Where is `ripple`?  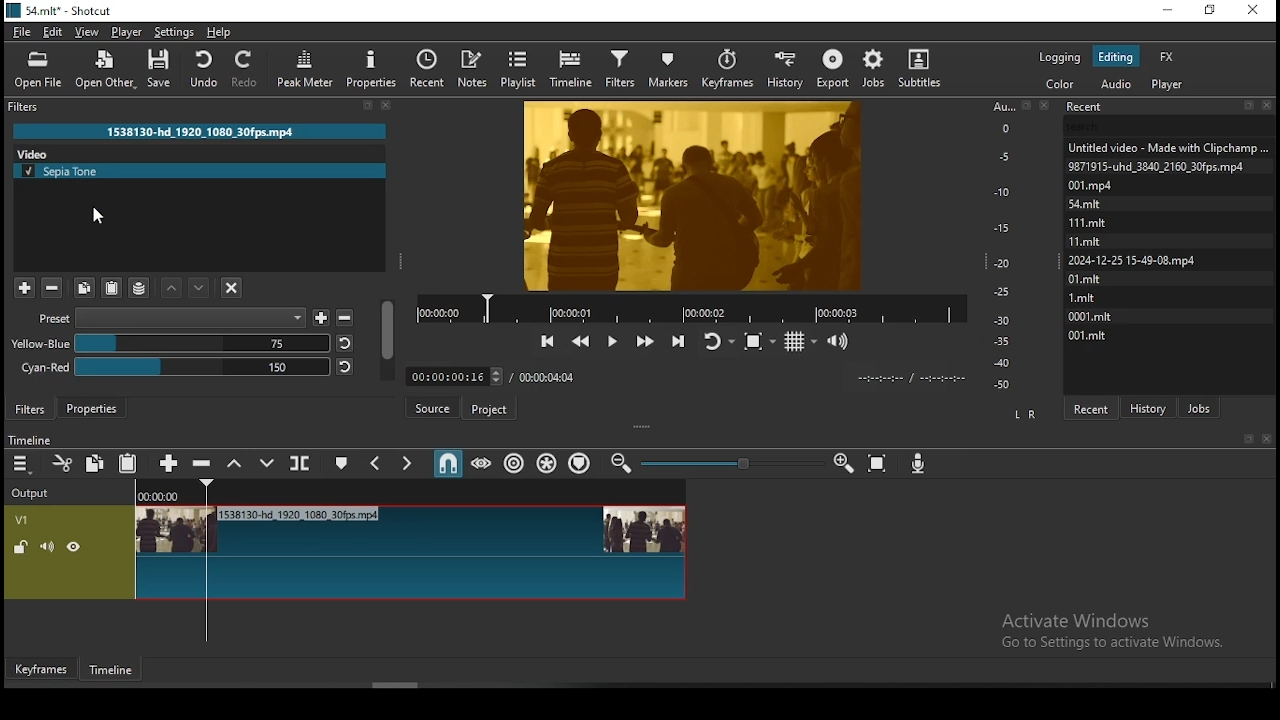 ripple is located at coordinates (516, 465).